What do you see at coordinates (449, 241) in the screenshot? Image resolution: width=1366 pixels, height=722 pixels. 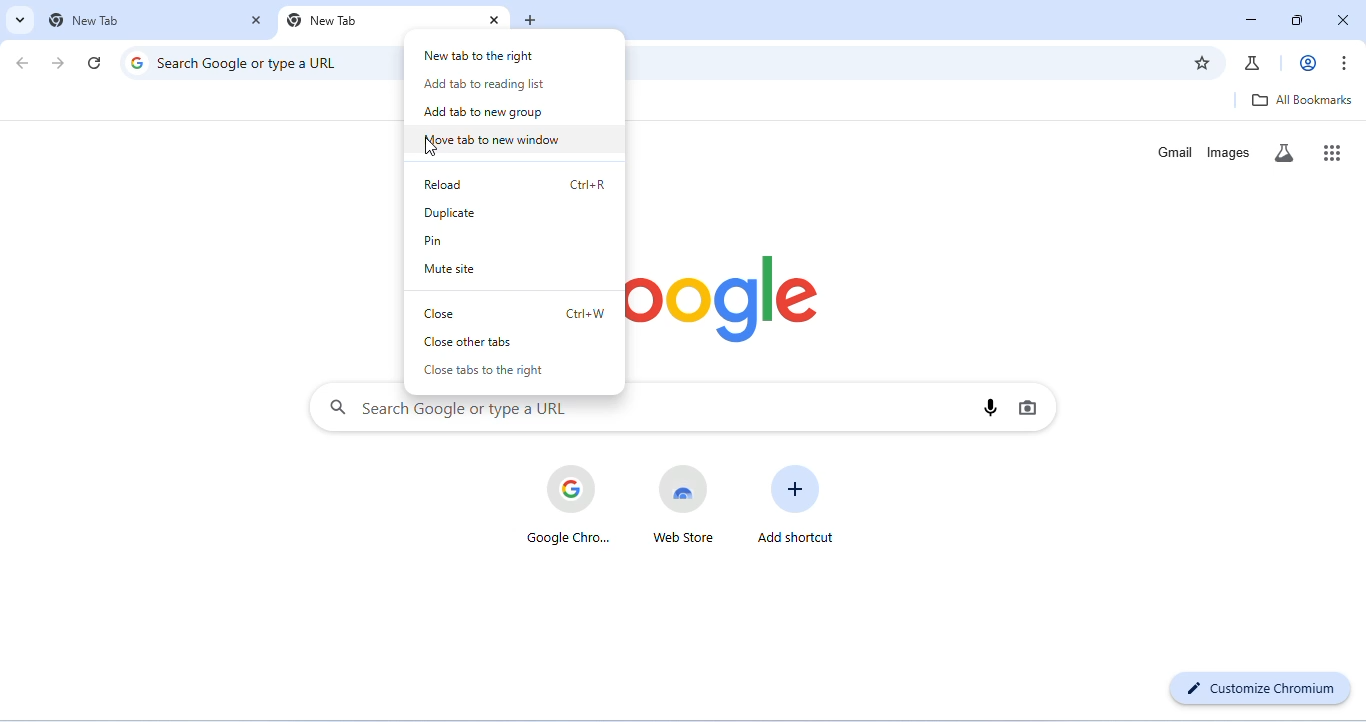 I see `pin` at bounding box center [449, 241].